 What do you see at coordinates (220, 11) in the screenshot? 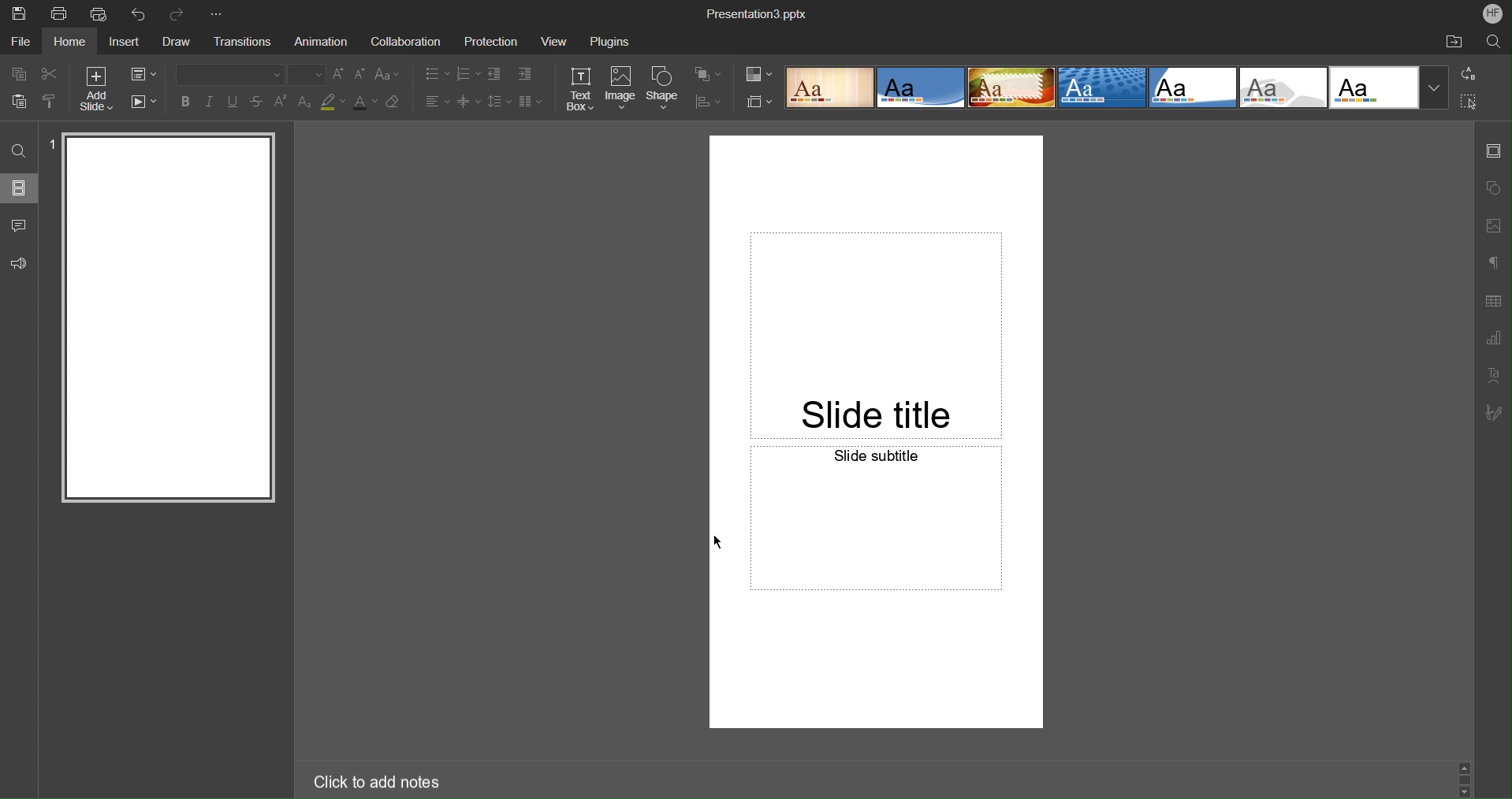
I see `More` at bounding box center [220, 11].